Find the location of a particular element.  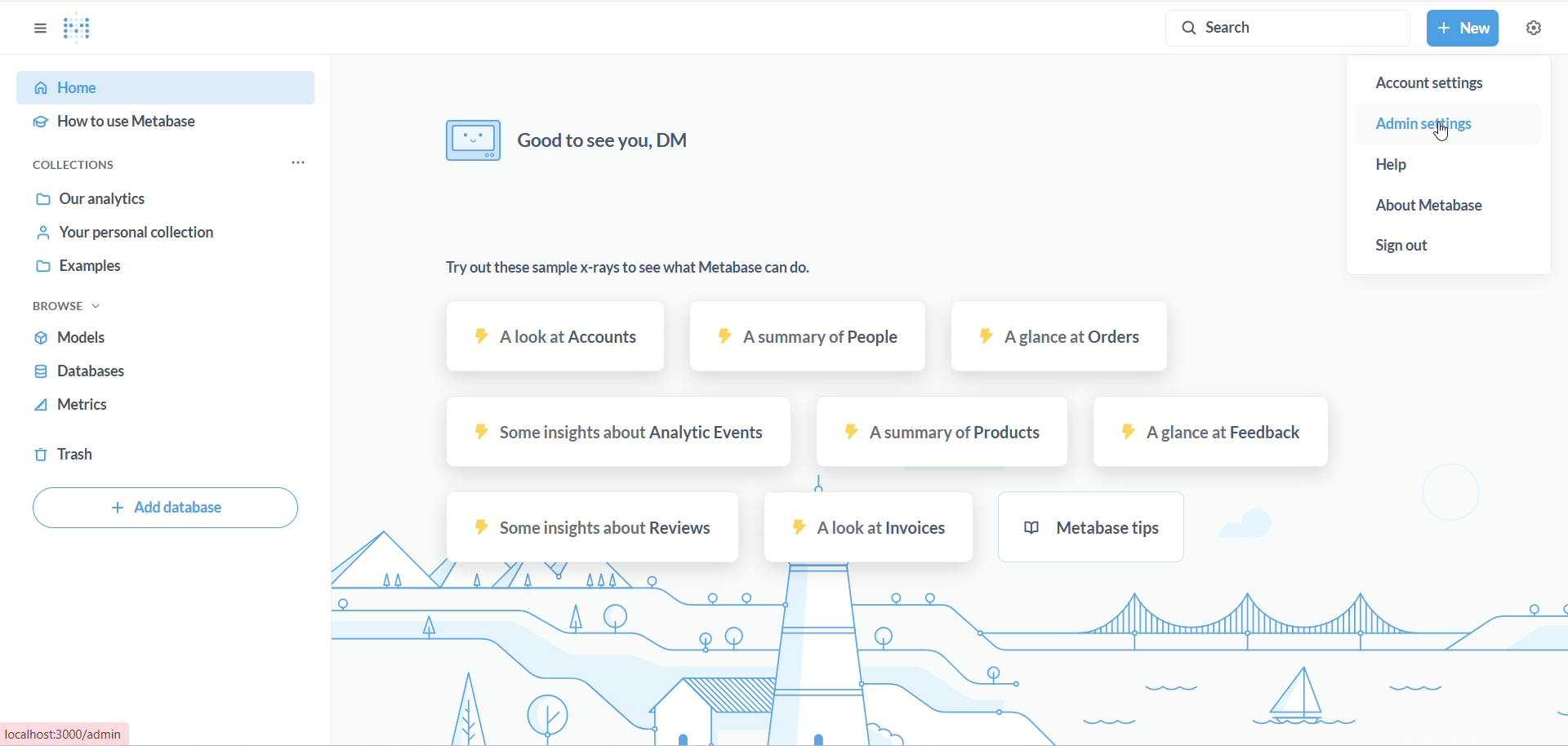

some insights about analytic events is located at coordinates (619, 431).